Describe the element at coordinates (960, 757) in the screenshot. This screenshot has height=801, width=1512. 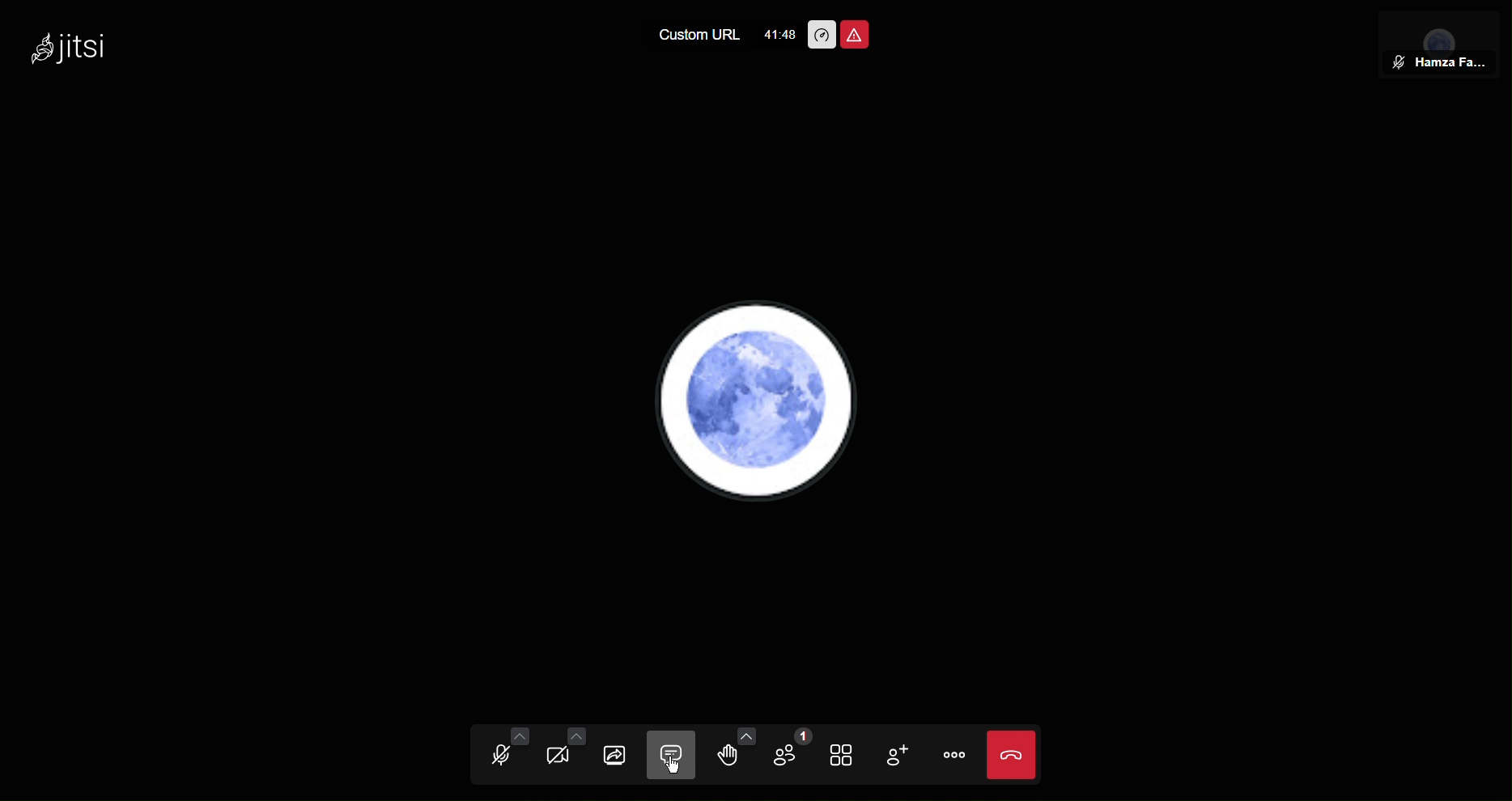
I see `More` at that location.